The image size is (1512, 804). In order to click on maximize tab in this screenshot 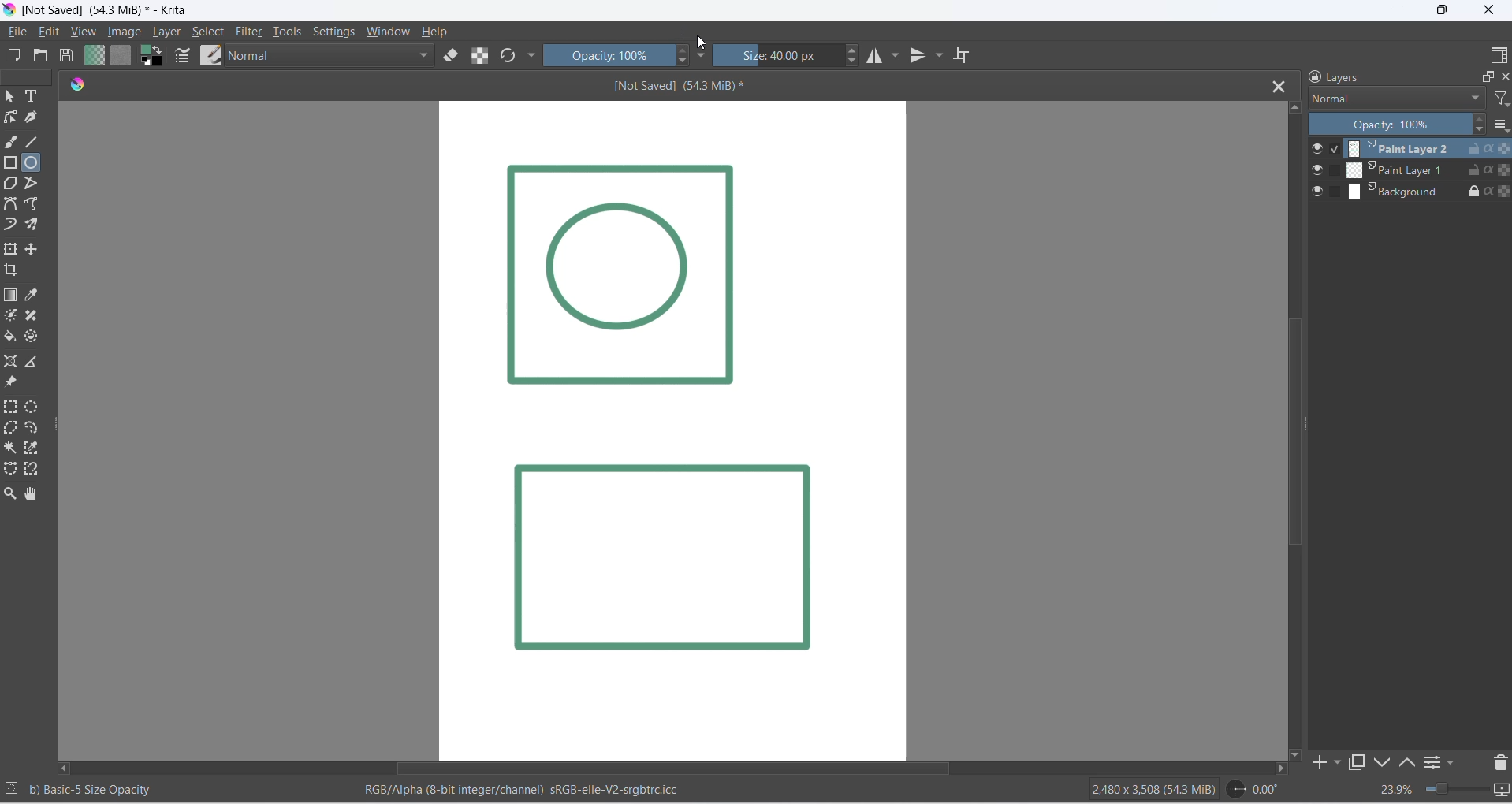, I will do `click(1357, 764)`.